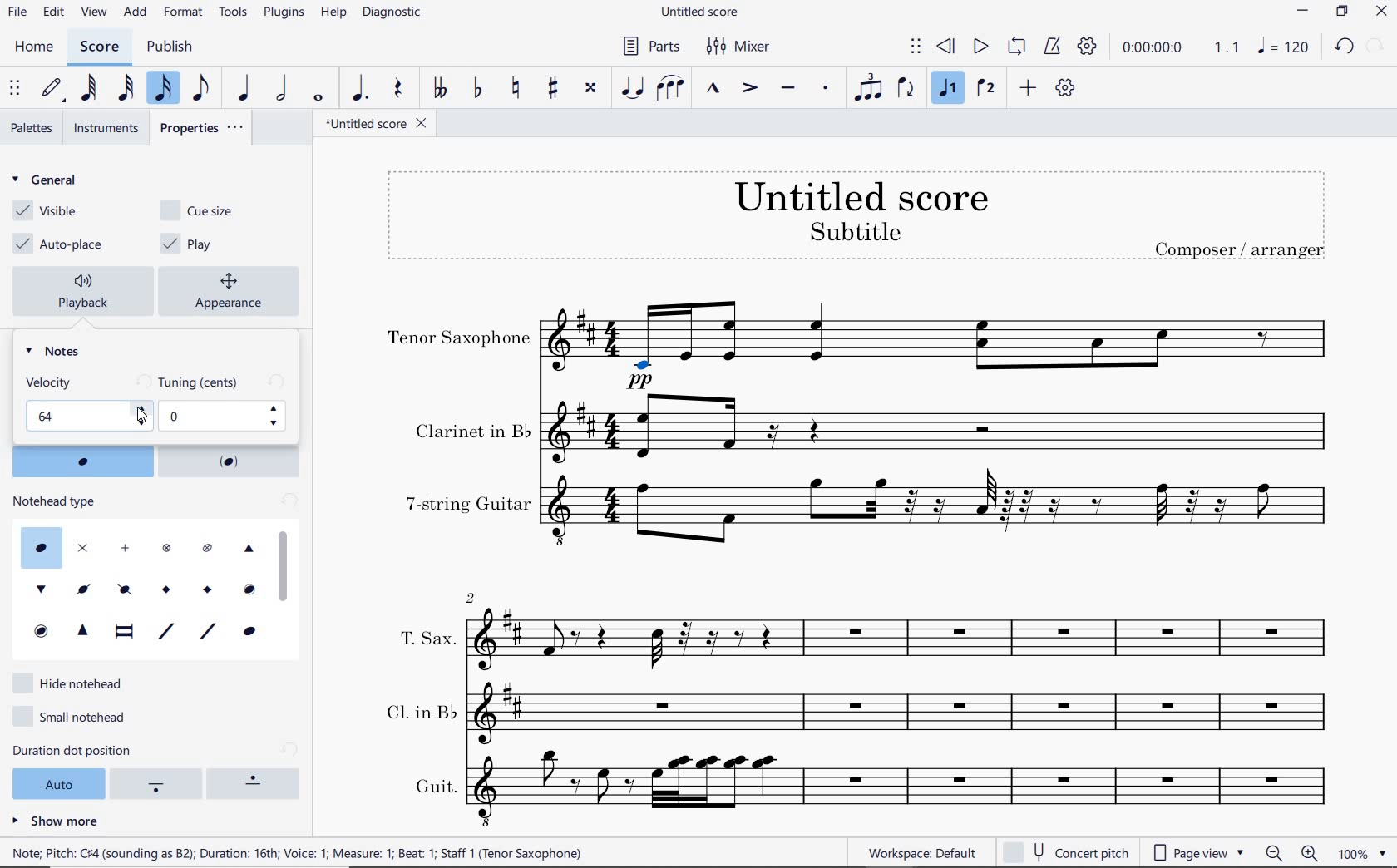  I want to click on format, so click(185, 12).